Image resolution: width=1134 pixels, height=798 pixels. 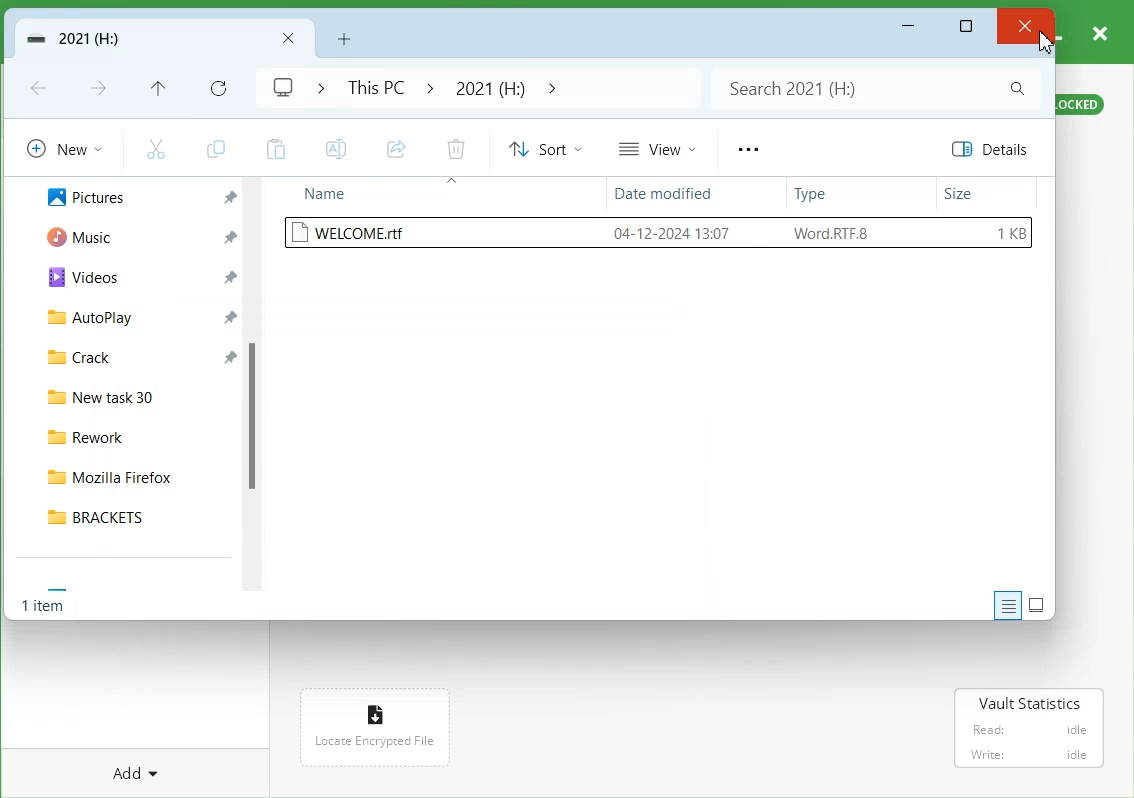 What do you see at coordinates (257, 386) in the screenshot?
I see `scrollbar` at bounding box center [257, 386].